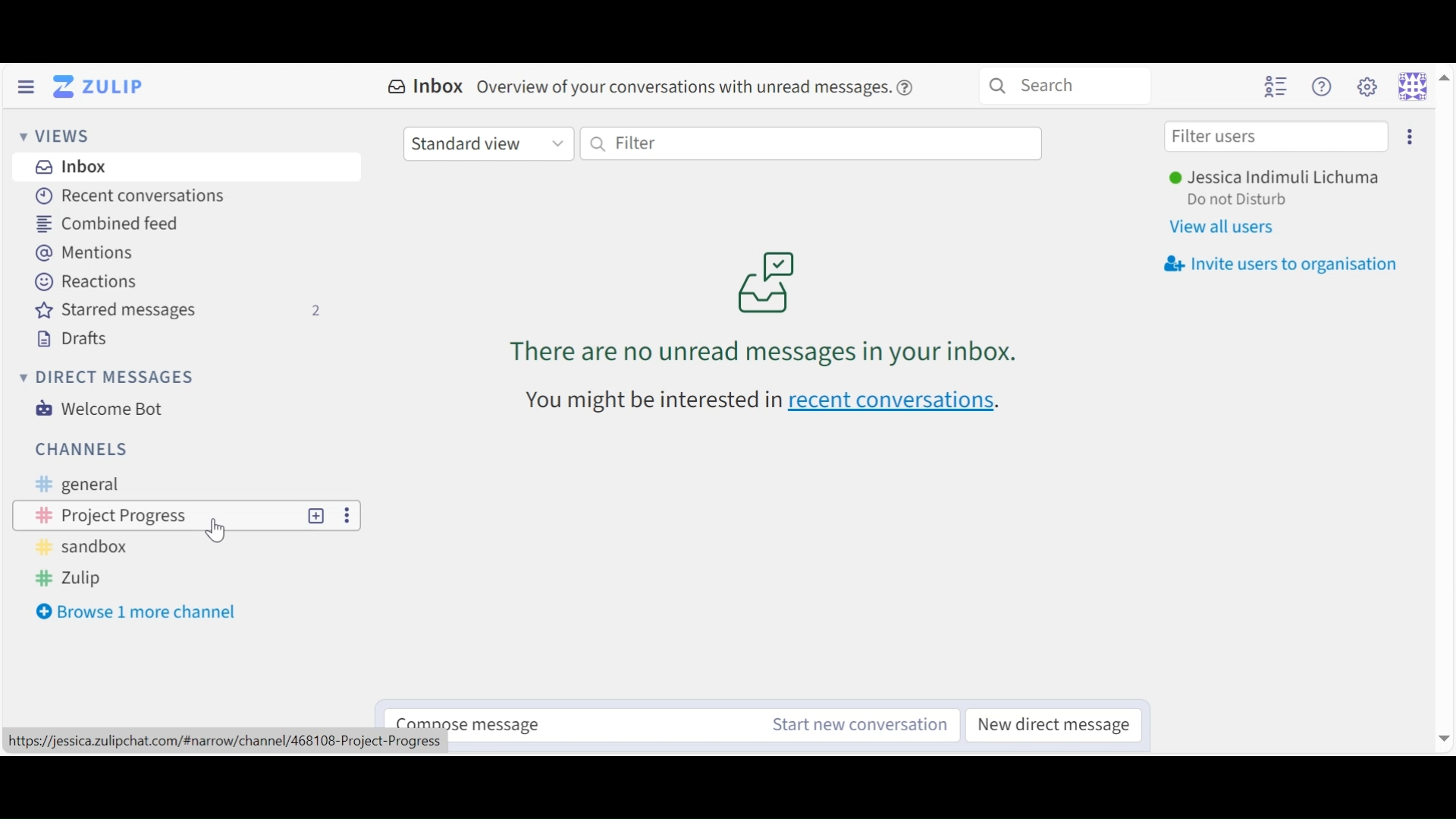  Describe the element at coordinates (89, 451) in the screenshot. I see `Channels` at that location.